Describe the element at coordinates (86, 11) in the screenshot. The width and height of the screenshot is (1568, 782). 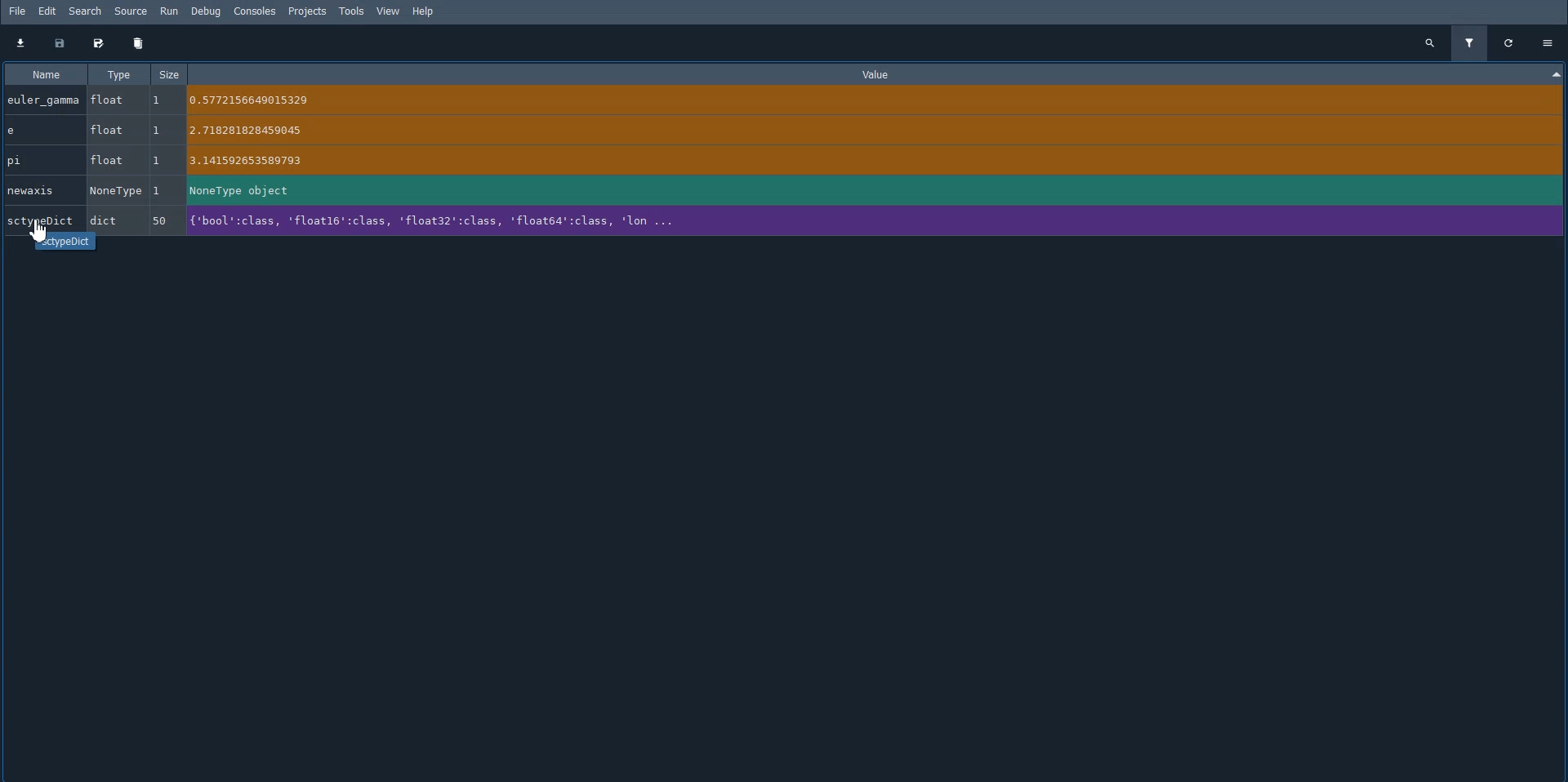
I see `Search` at that location.